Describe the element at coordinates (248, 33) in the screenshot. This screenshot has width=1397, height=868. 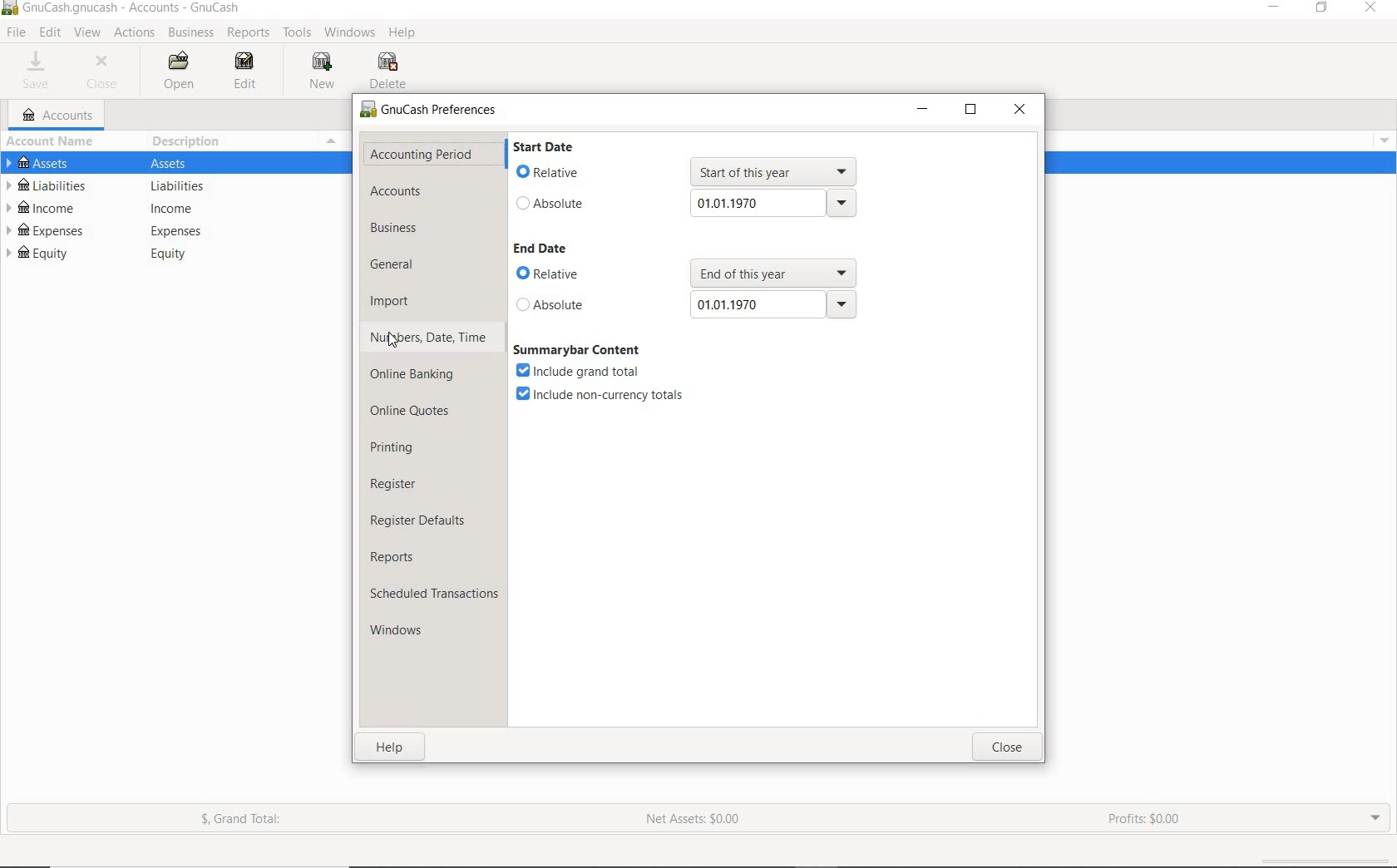
I see `REPORTS` at that location.